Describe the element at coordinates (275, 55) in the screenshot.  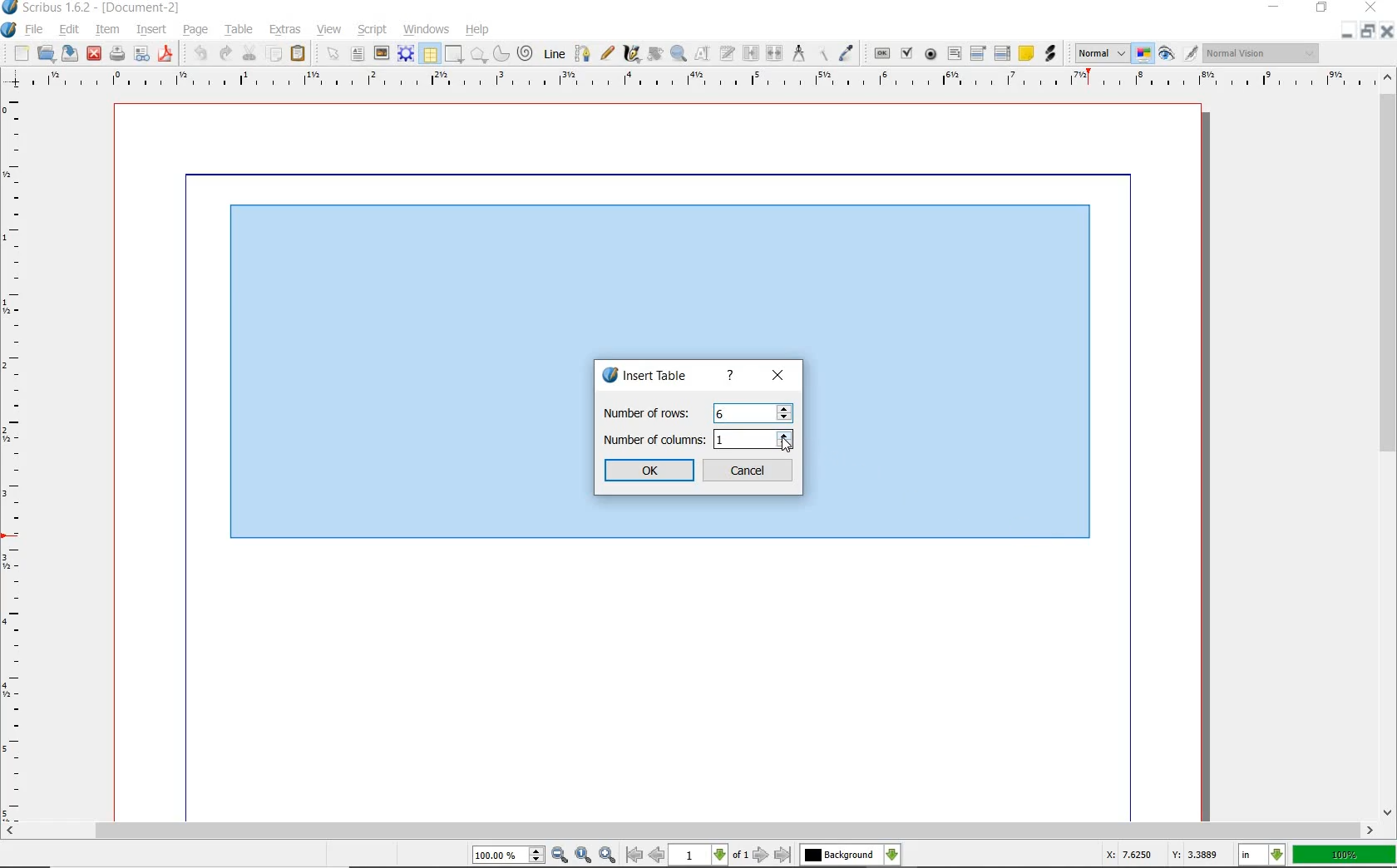
I see `copy` at that location.